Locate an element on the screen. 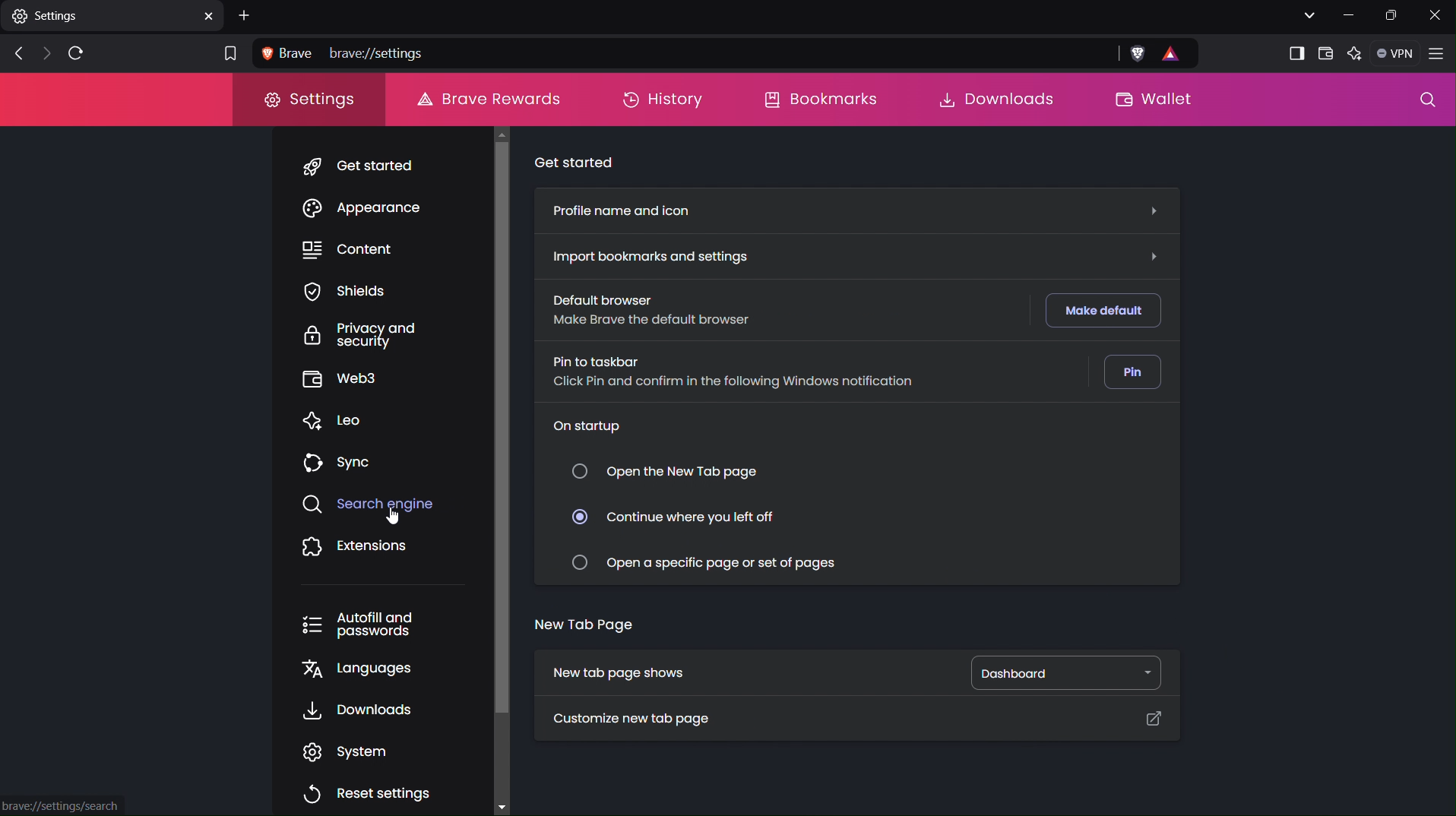 This screenshot has height=816, width=1456. Web3 is located at coordinates (342, 378).